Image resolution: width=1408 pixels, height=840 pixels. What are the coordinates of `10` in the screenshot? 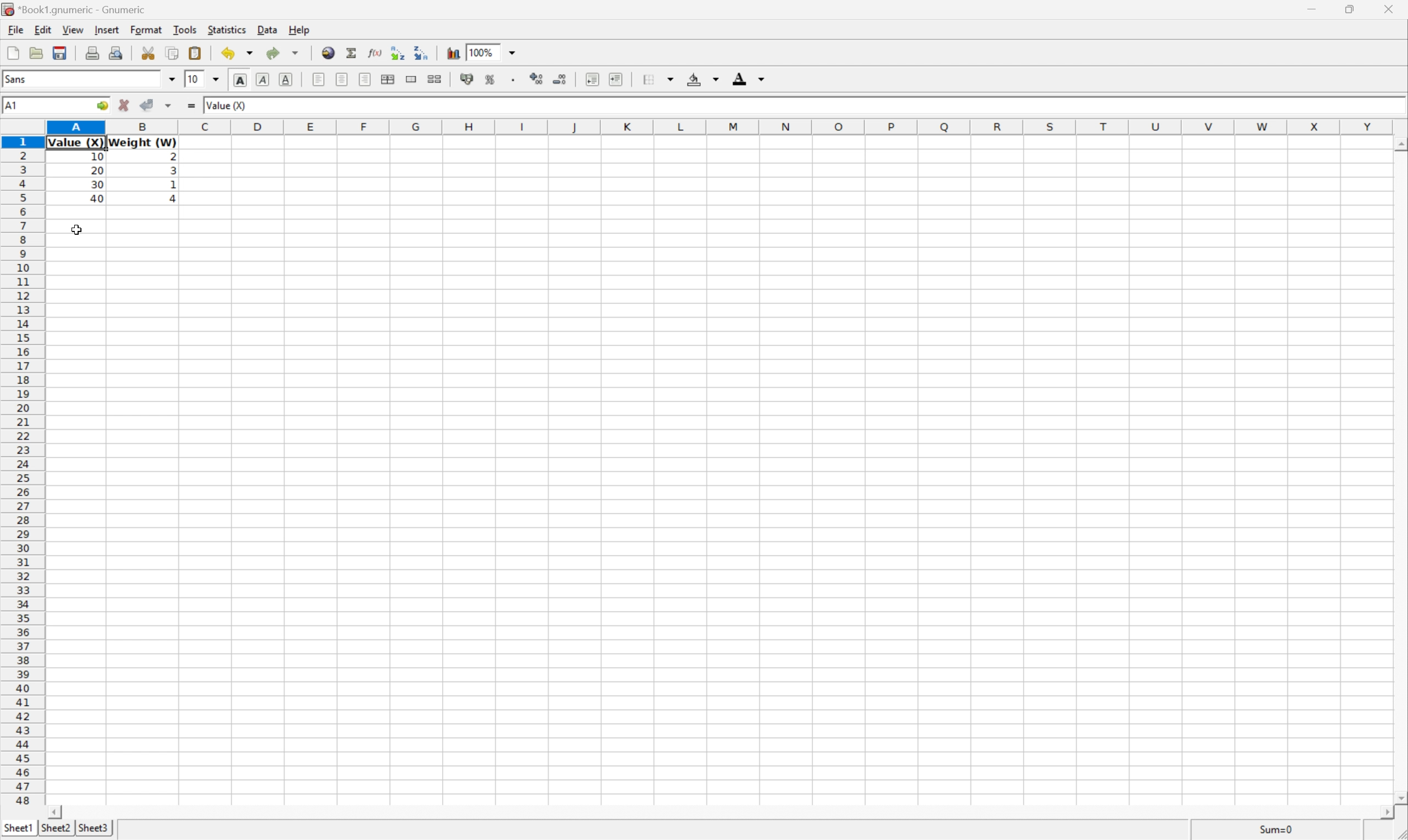 It's located at (193, 79).